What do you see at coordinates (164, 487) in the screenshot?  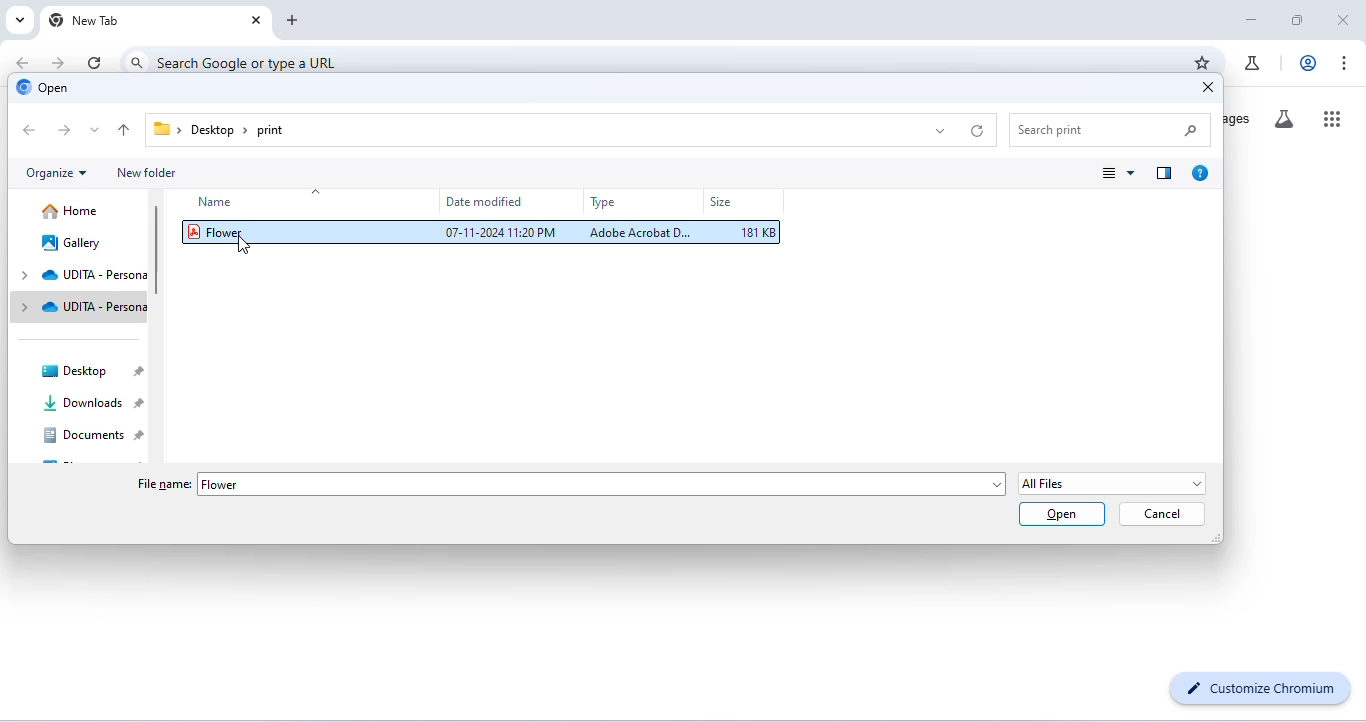 I see `file name` at bounding box center [164, 487].